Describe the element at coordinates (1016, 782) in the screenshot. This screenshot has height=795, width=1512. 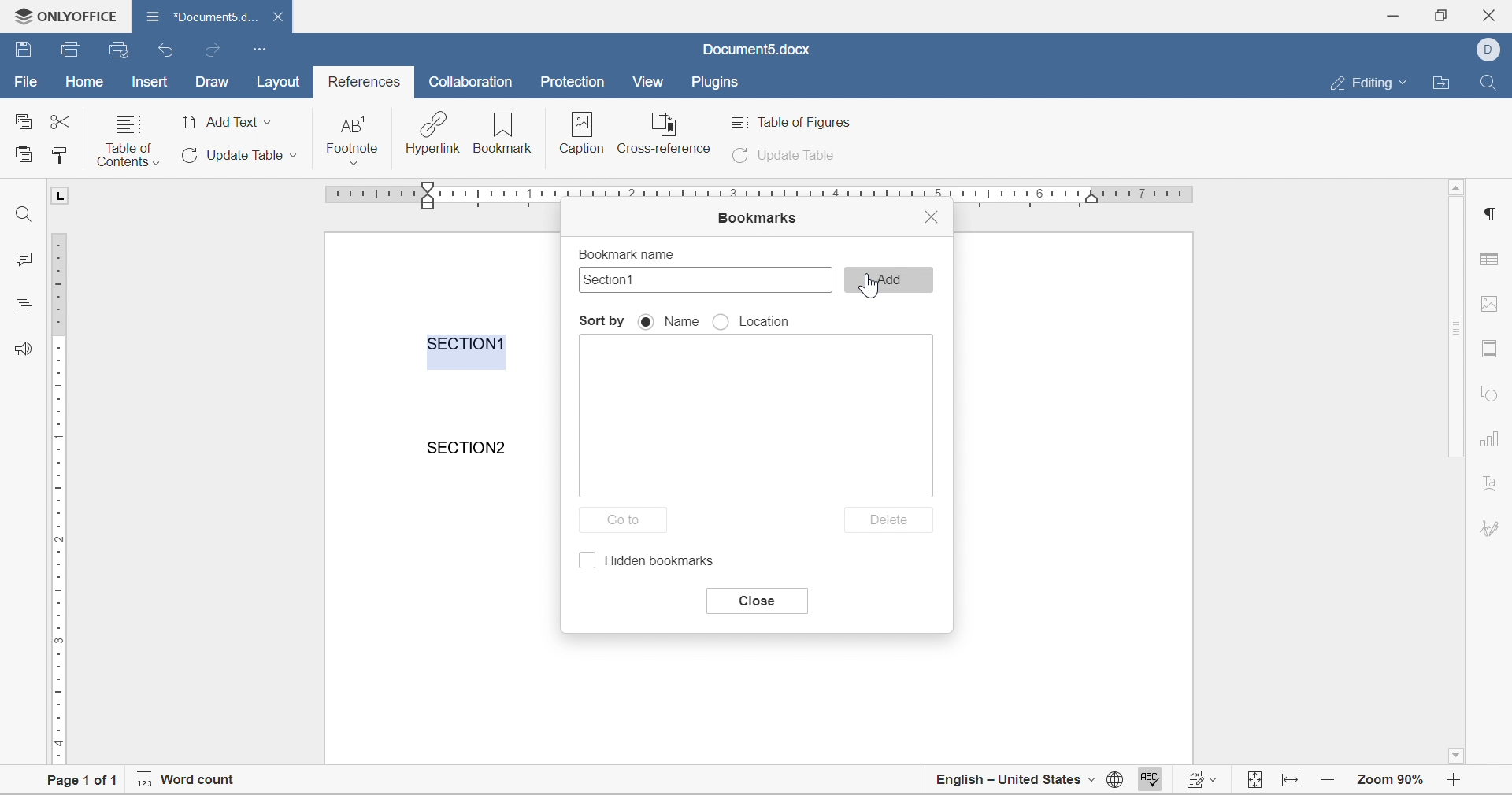
I see `english - united states` at that location.